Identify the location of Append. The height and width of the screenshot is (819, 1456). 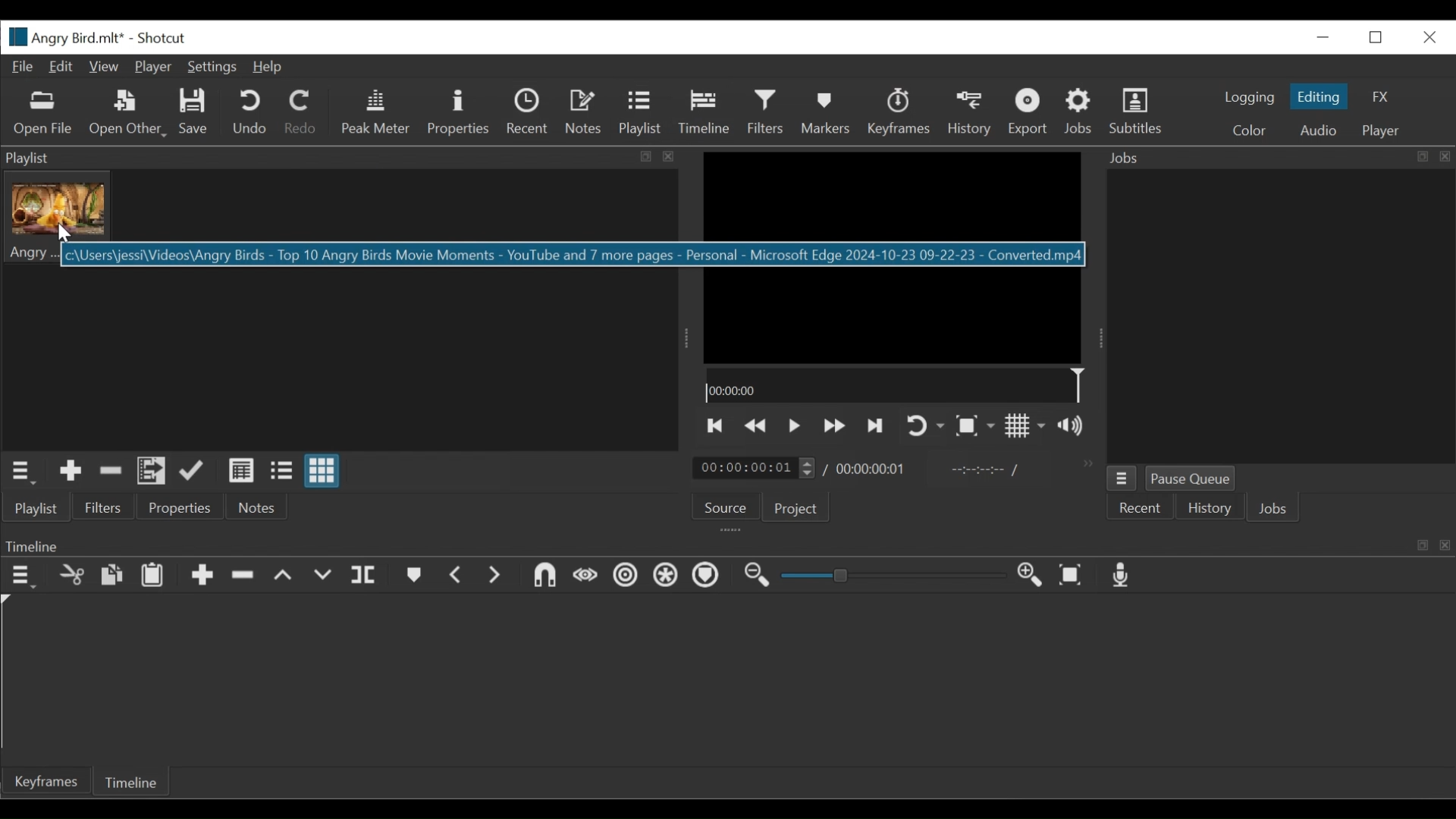
(201, 574).